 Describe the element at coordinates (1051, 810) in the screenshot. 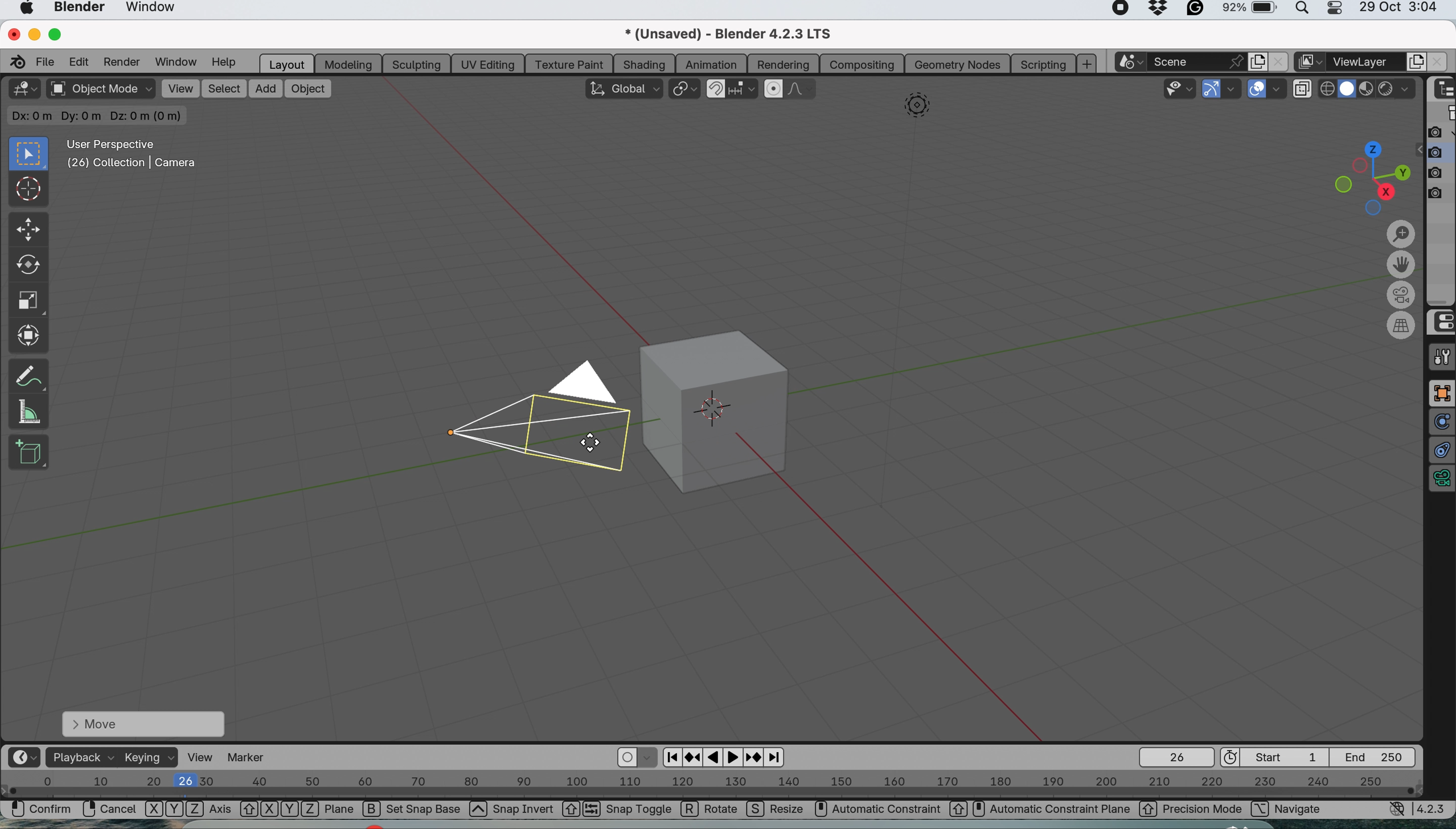

I see `Automatic constraint Plane` at that location.